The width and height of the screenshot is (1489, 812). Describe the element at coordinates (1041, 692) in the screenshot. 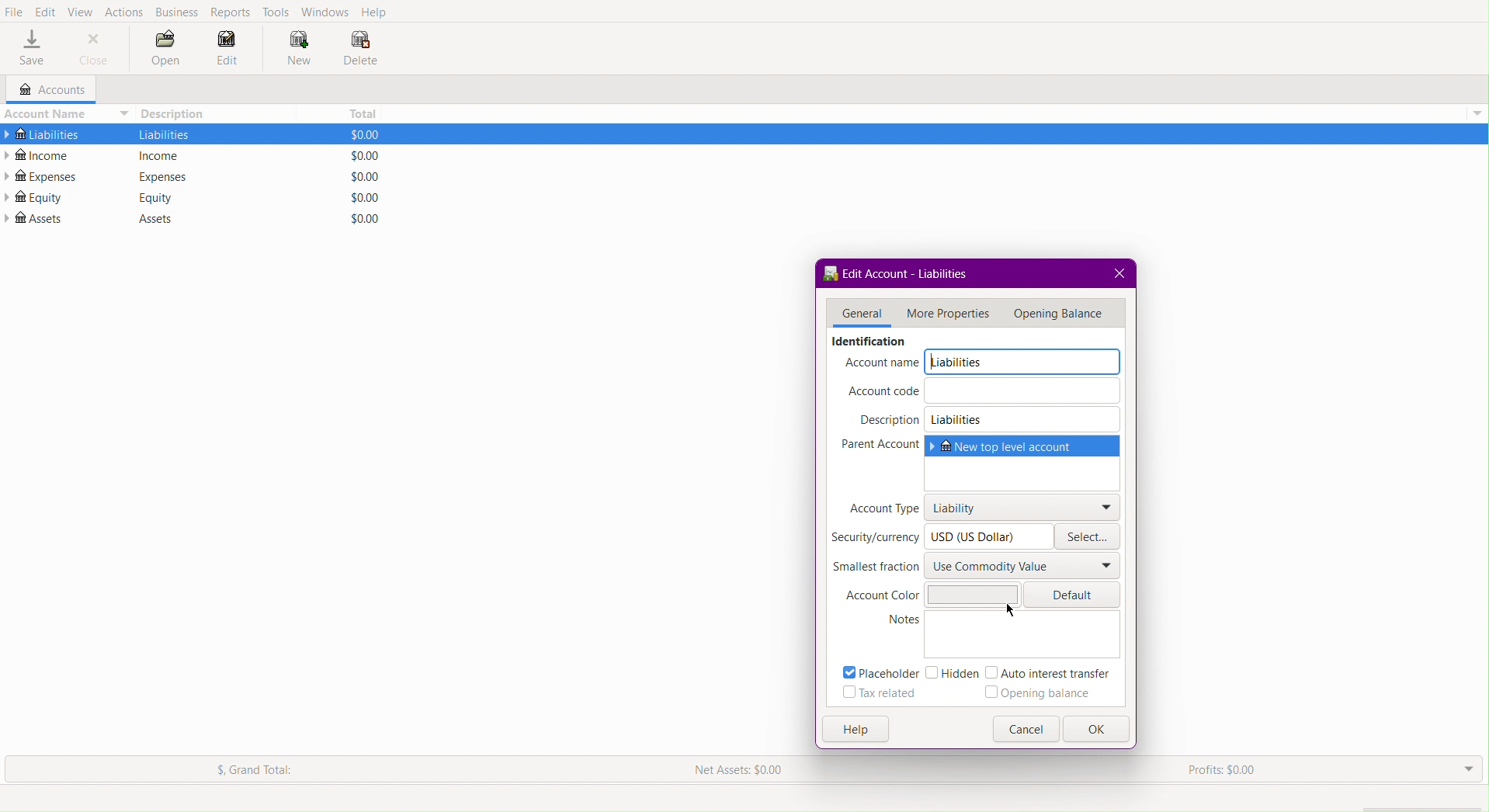

I see `Opening balance` at that location.